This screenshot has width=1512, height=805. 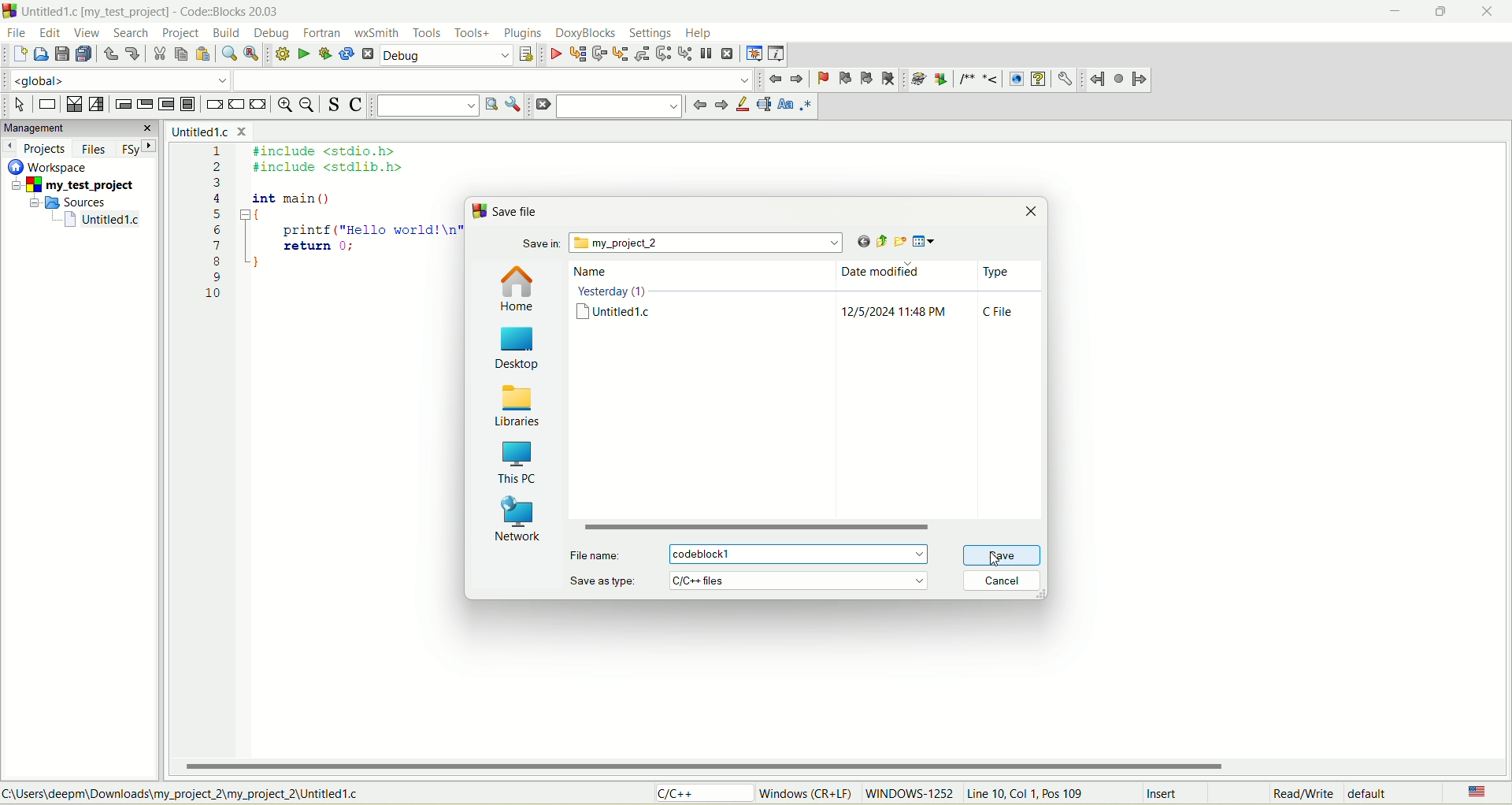 What do you see at coordinates (472, 33) in the screenshot?
I see `tools+` at bounding box center [472, 33].